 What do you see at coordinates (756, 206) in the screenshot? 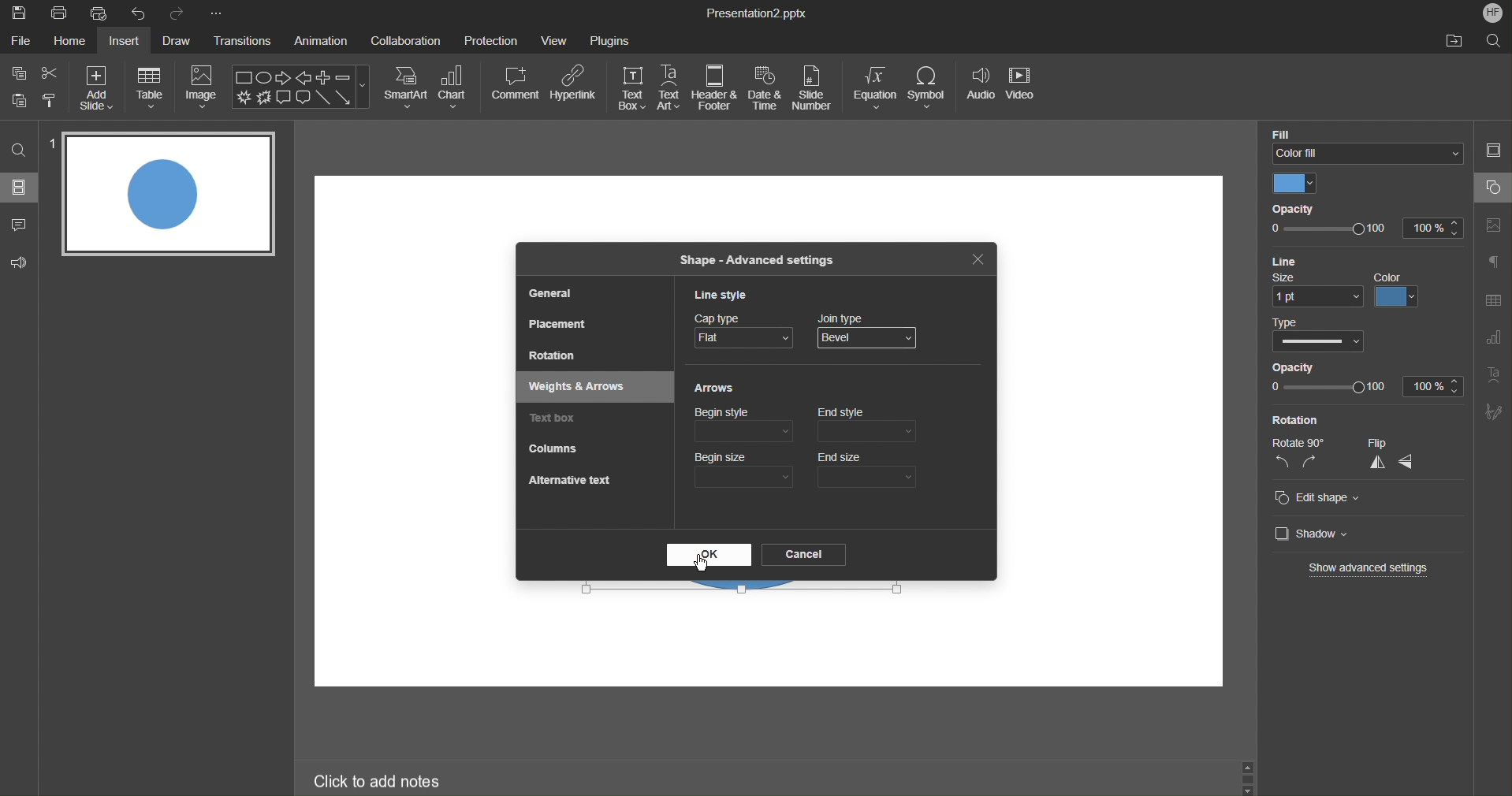
I see `workspace` at bounding box center [756, 206].